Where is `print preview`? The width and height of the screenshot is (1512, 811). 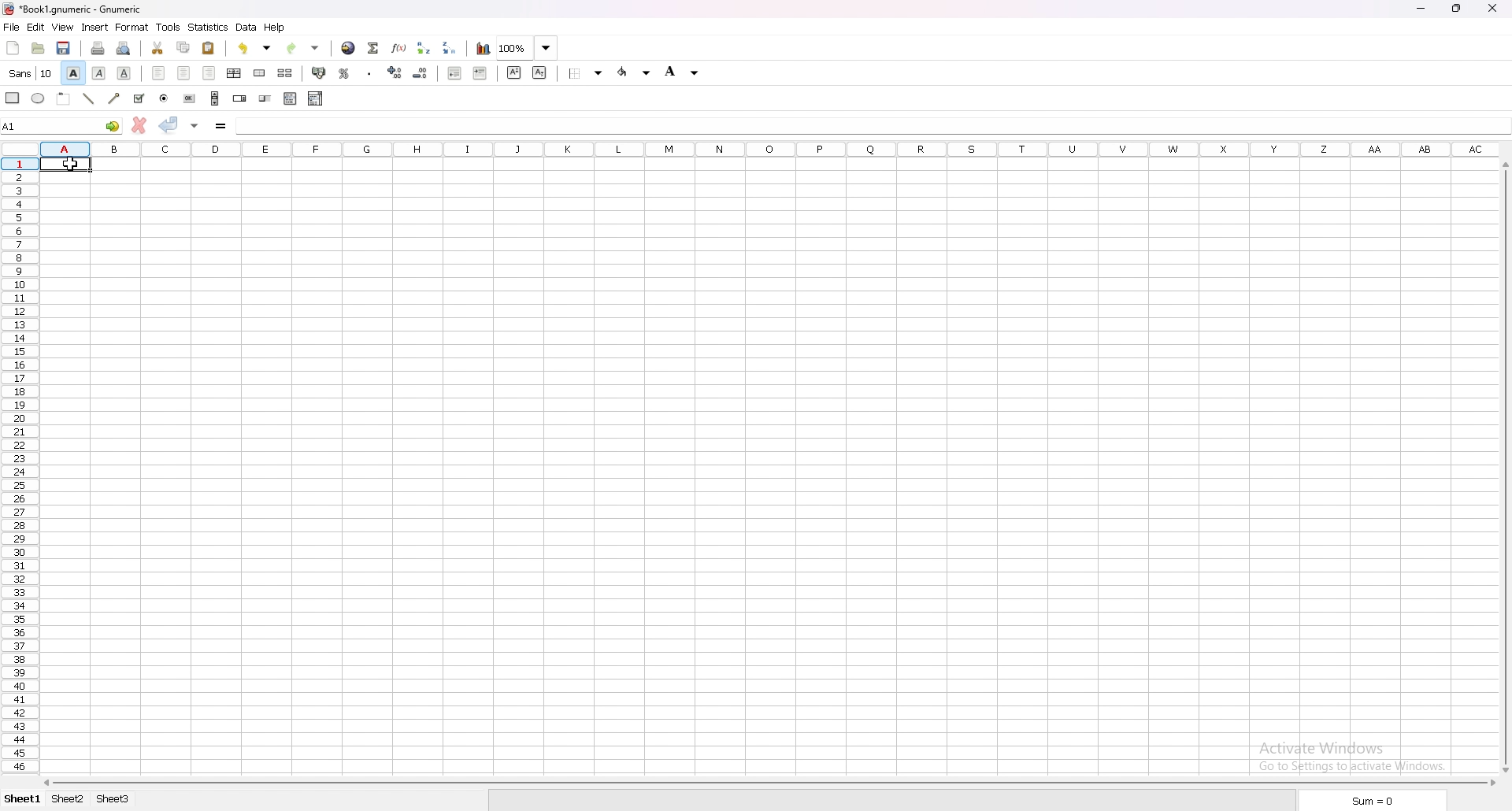 print preview is located at coordinates (124, 48).